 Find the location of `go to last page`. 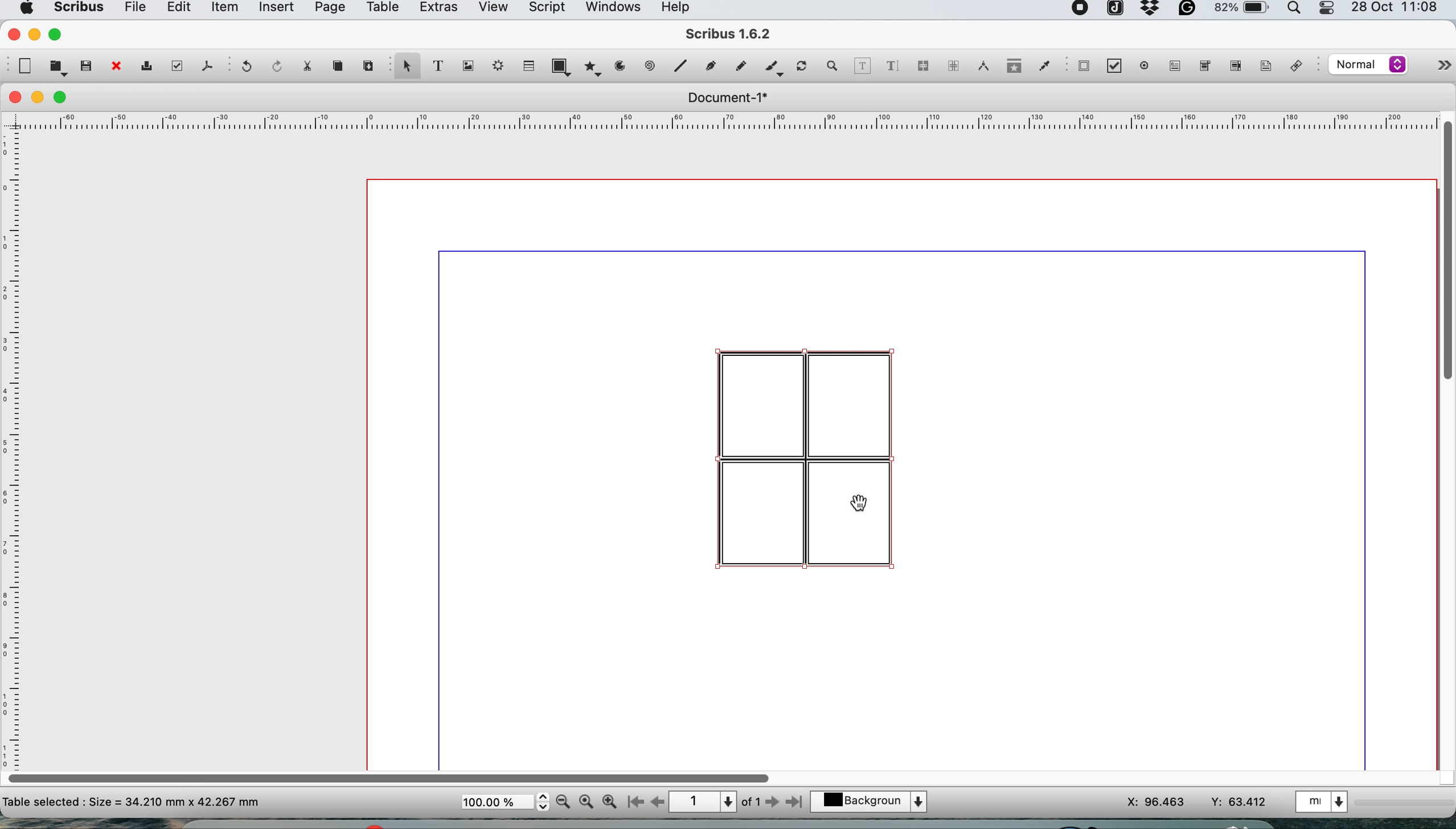

go to last page is located at coordinates (797, 801).